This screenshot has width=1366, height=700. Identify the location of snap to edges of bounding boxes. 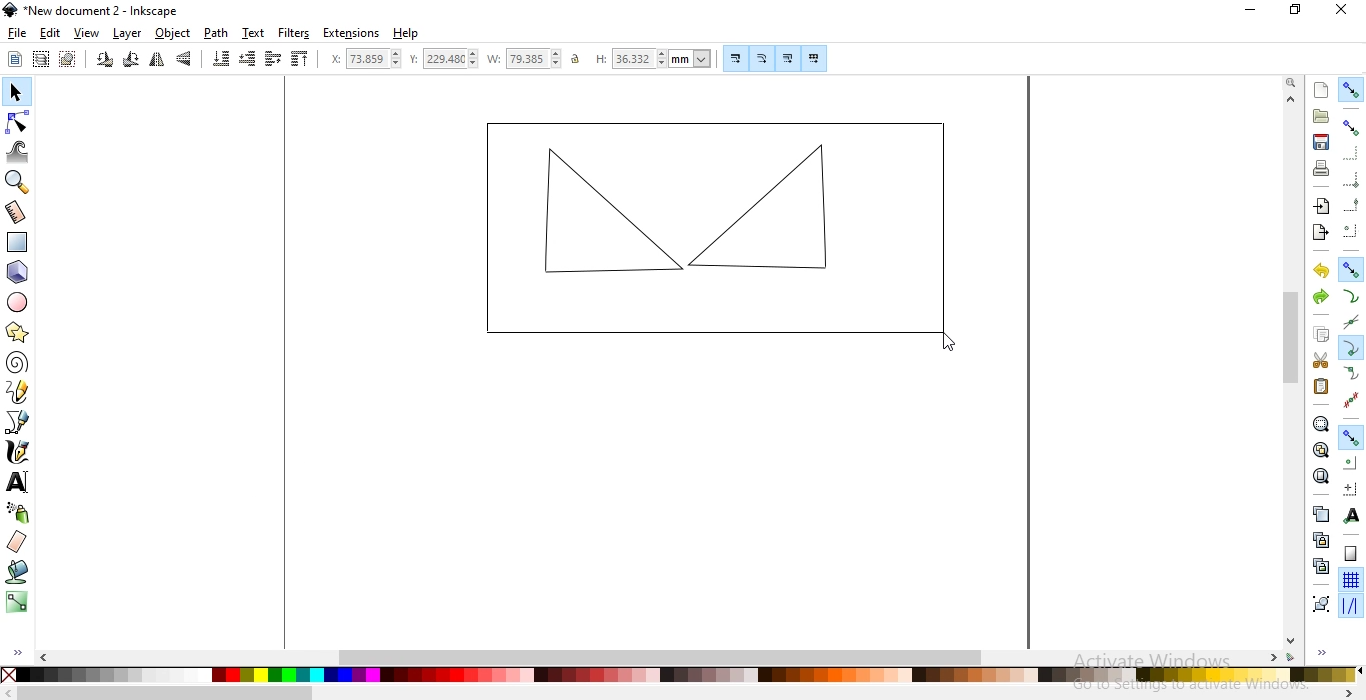
(1353, 153).